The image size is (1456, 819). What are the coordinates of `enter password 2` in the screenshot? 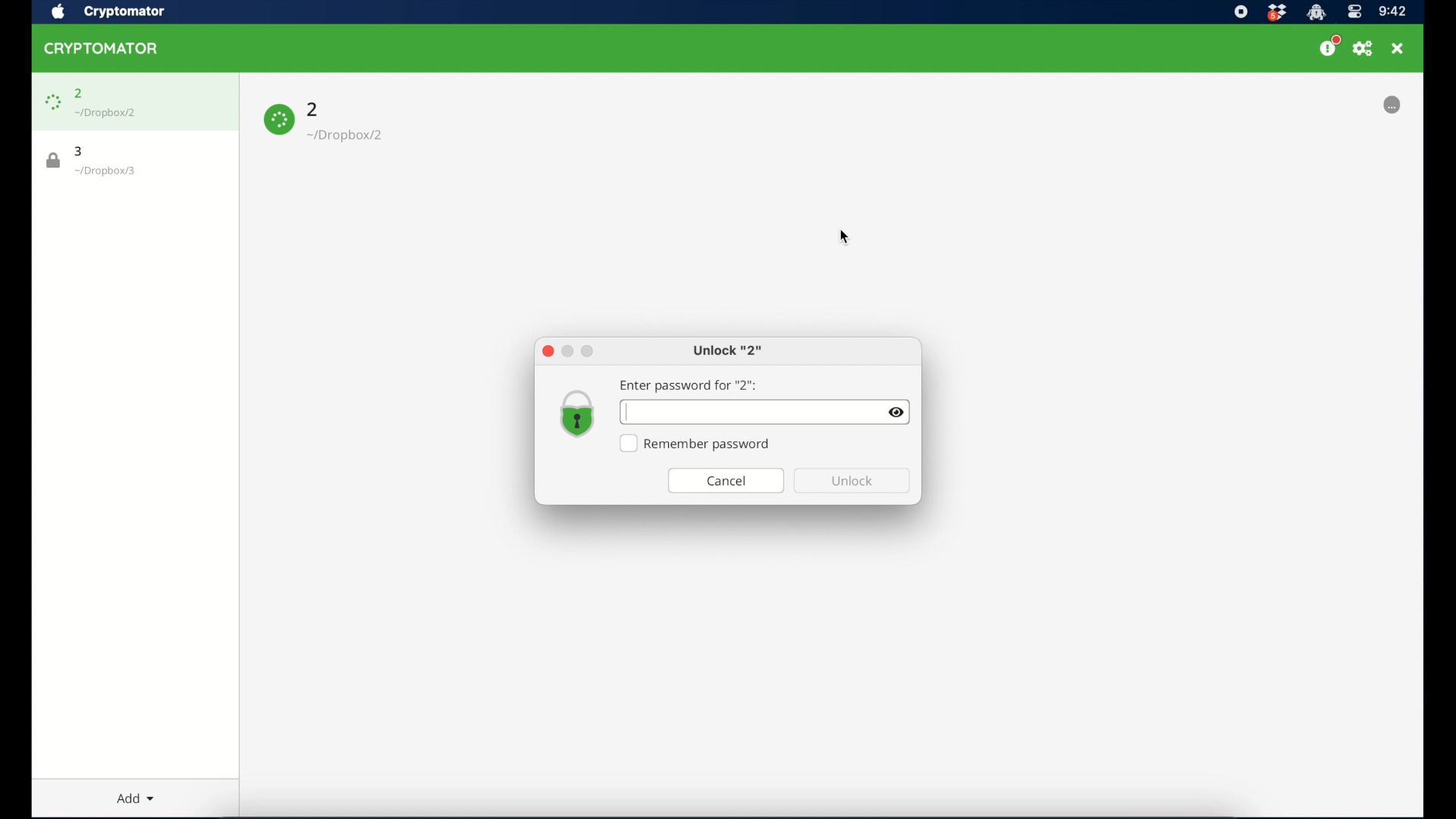 It's located at (689, 385).